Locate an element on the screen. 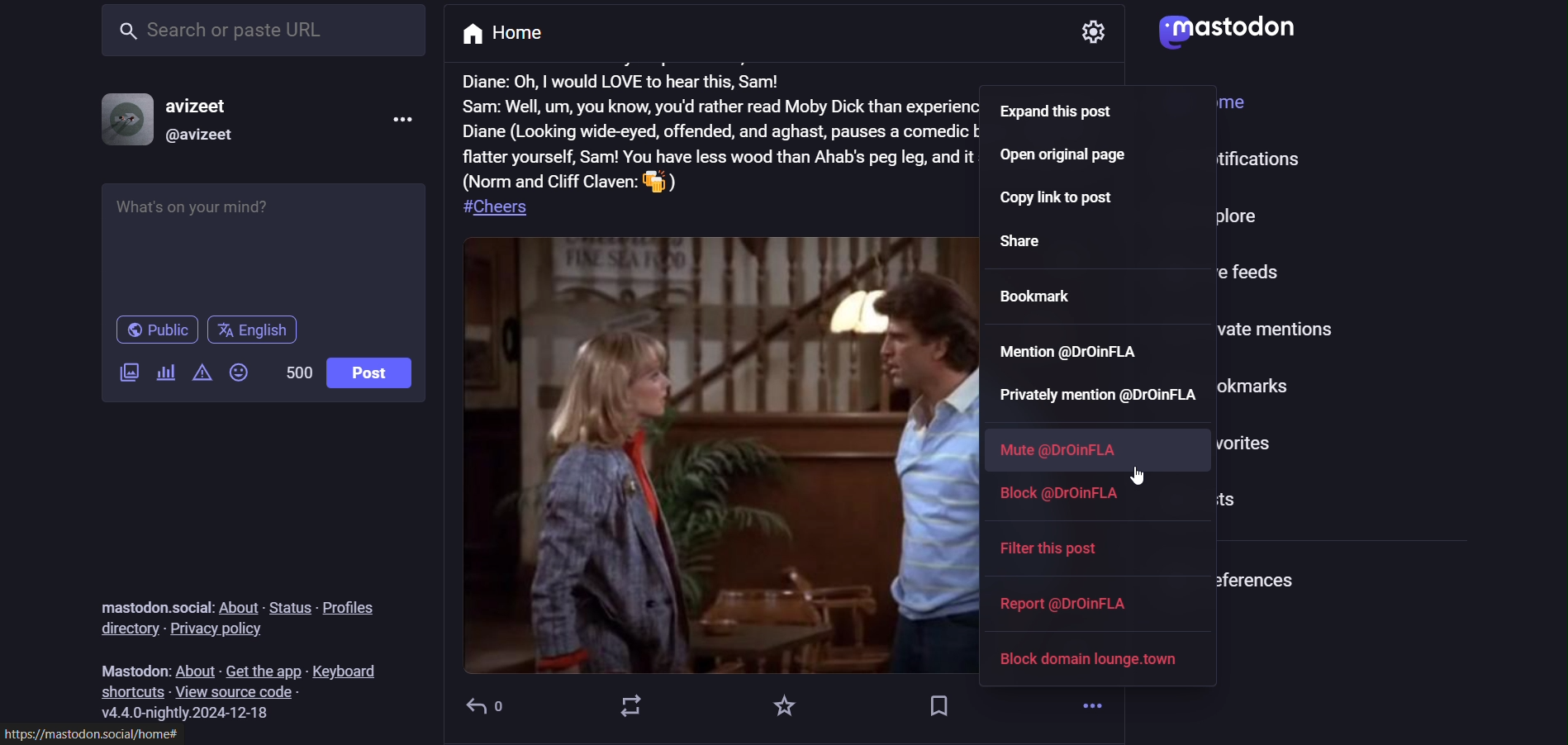  settings is located at coordinates (1090, 39).